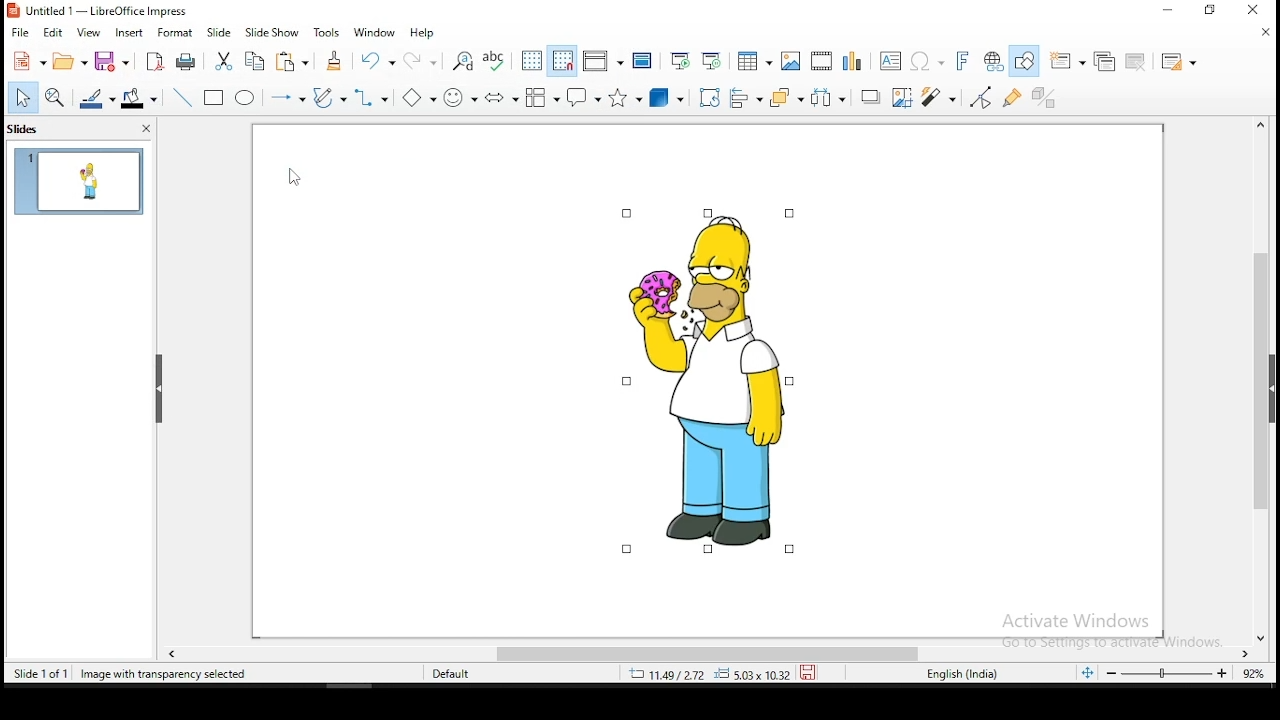 Image resolution: width=1280 pixels, height=720 pixels. I want to click on stars and banners, so click(628, 95).